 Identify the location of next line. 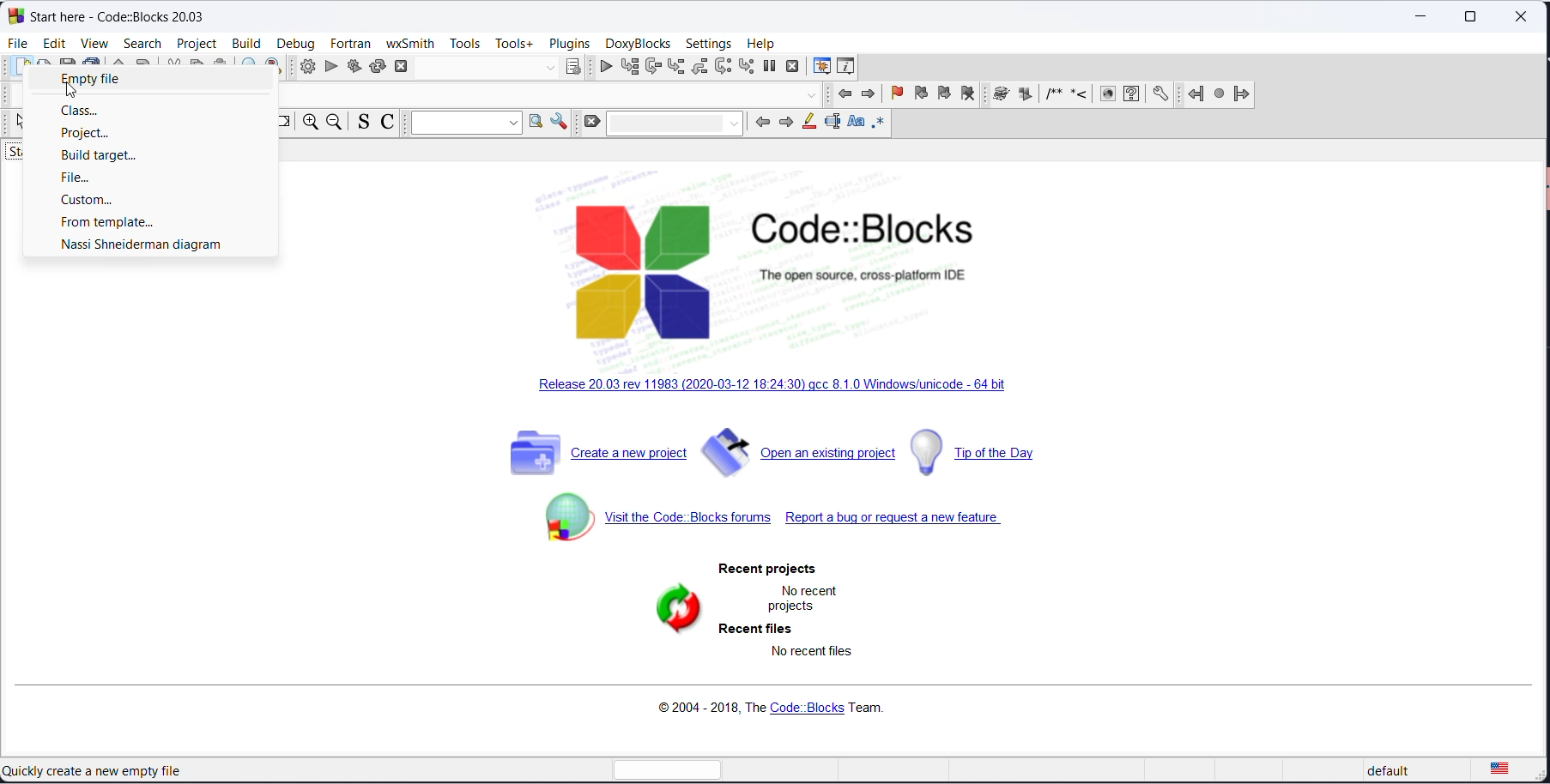
(652, 69).